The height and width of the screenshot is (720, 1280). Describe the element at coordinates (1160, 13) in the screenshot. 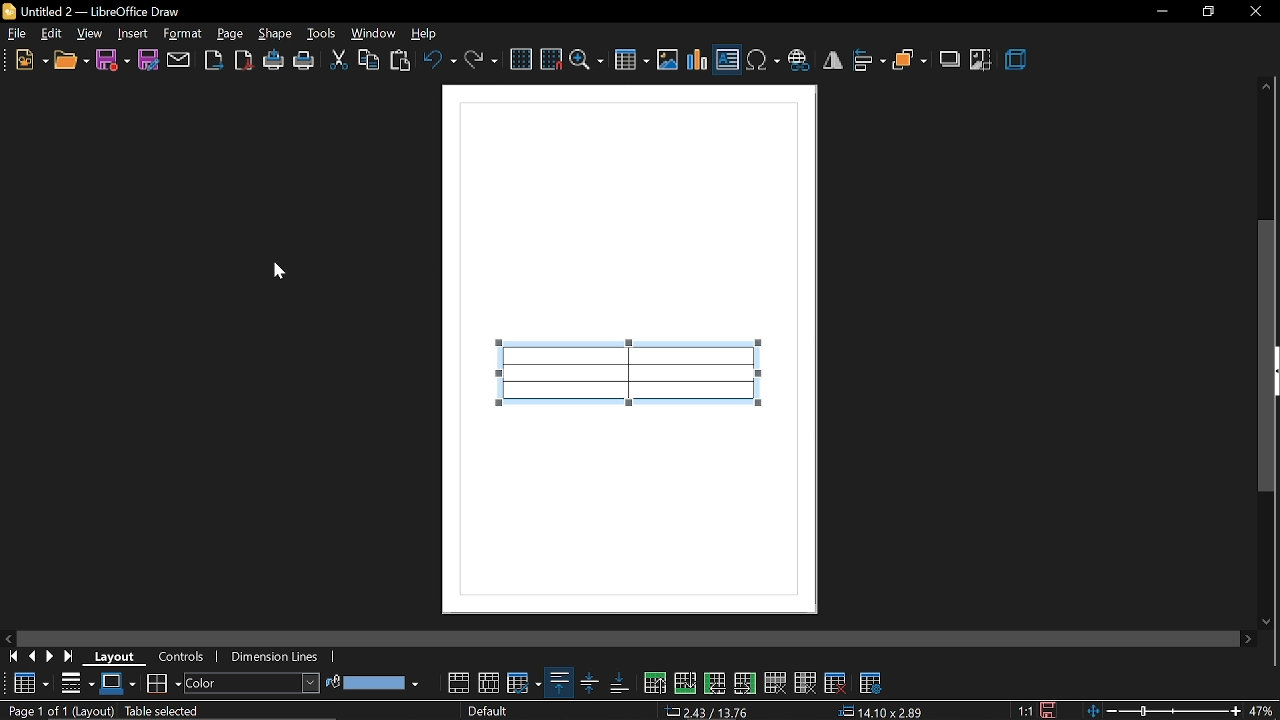

I see `minimize` at that location.